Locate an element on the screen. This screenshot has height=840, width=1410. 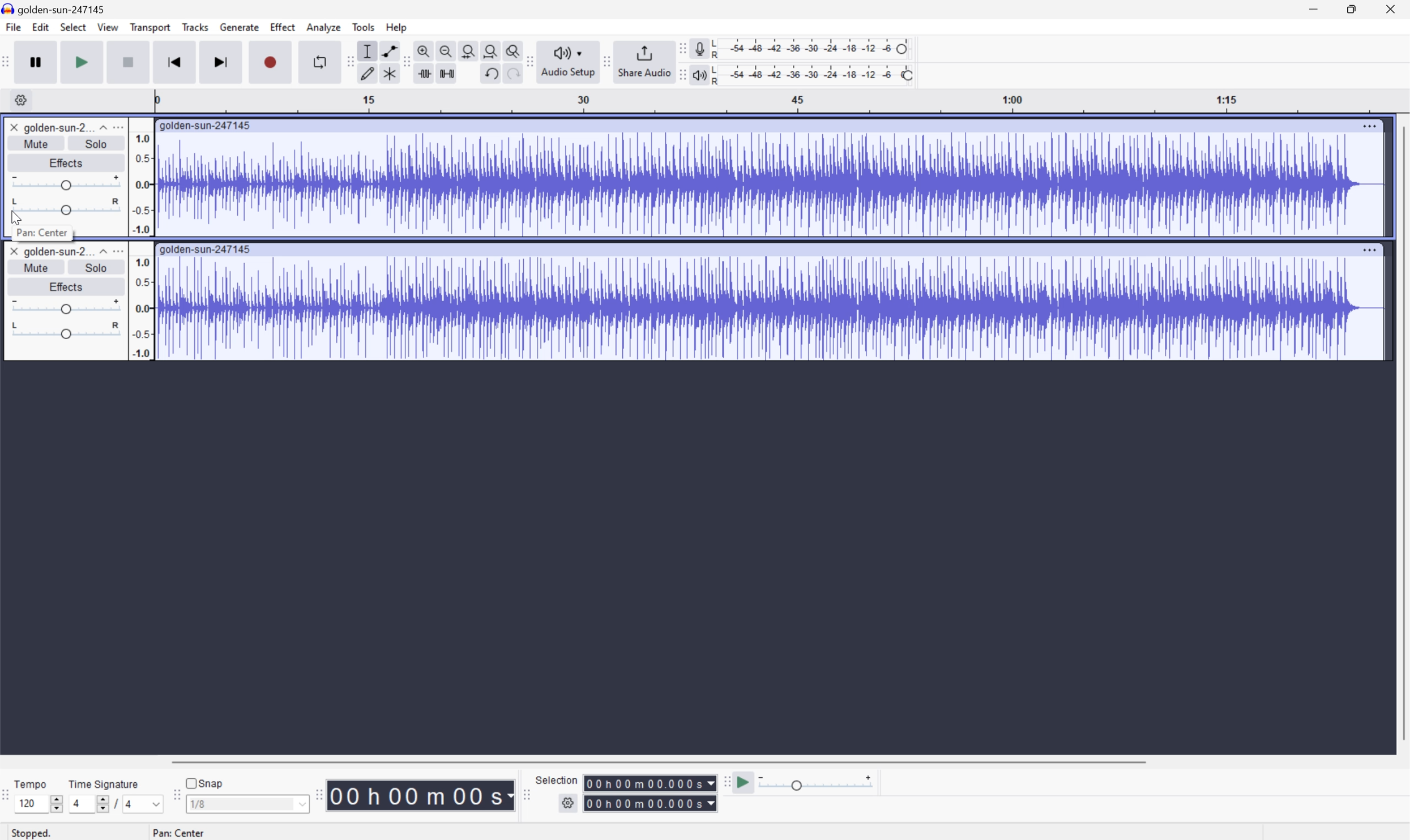
Close is located at coordinates (1396, 8).